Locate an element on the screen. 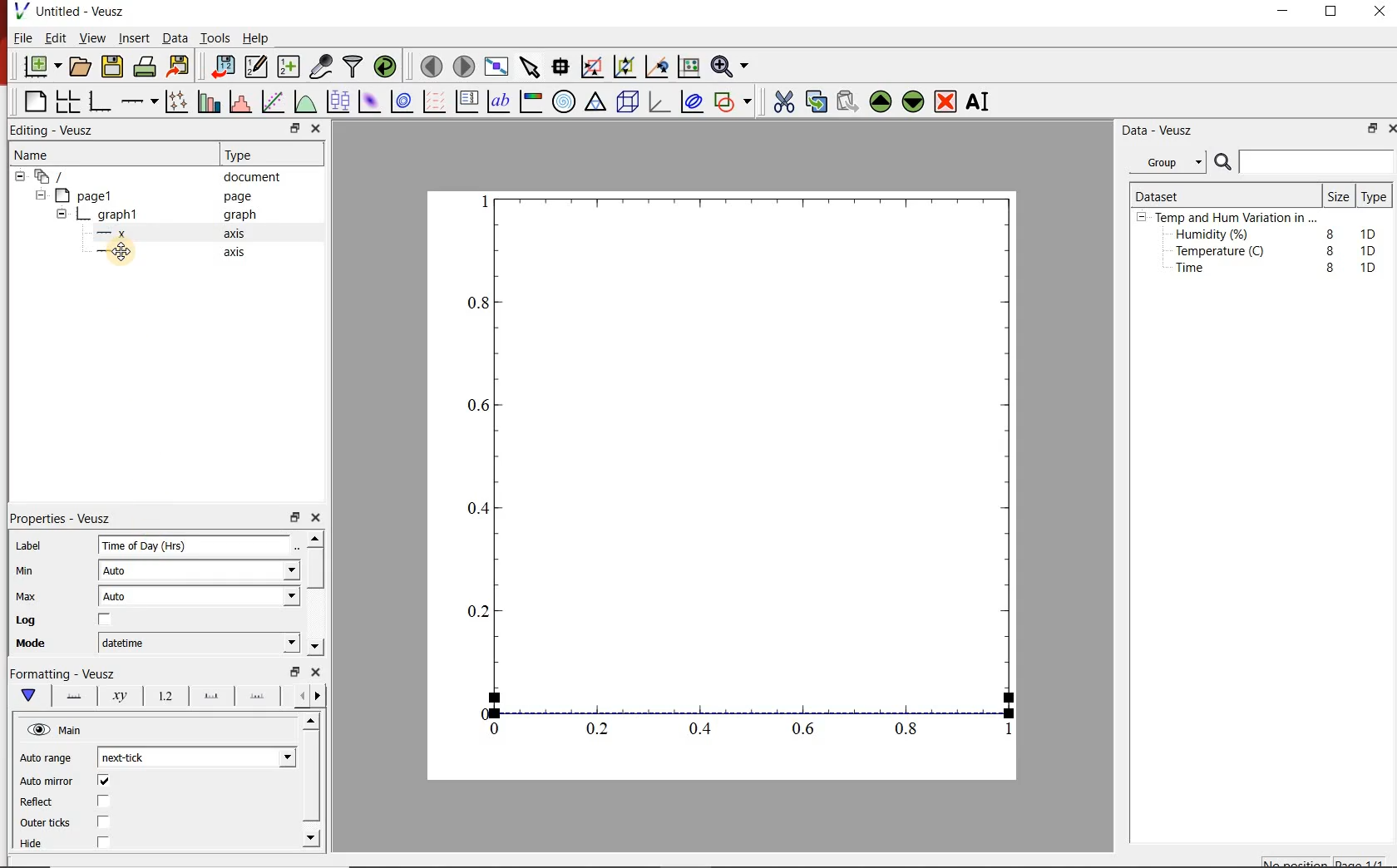  close is located at coordinates (1389, 128).